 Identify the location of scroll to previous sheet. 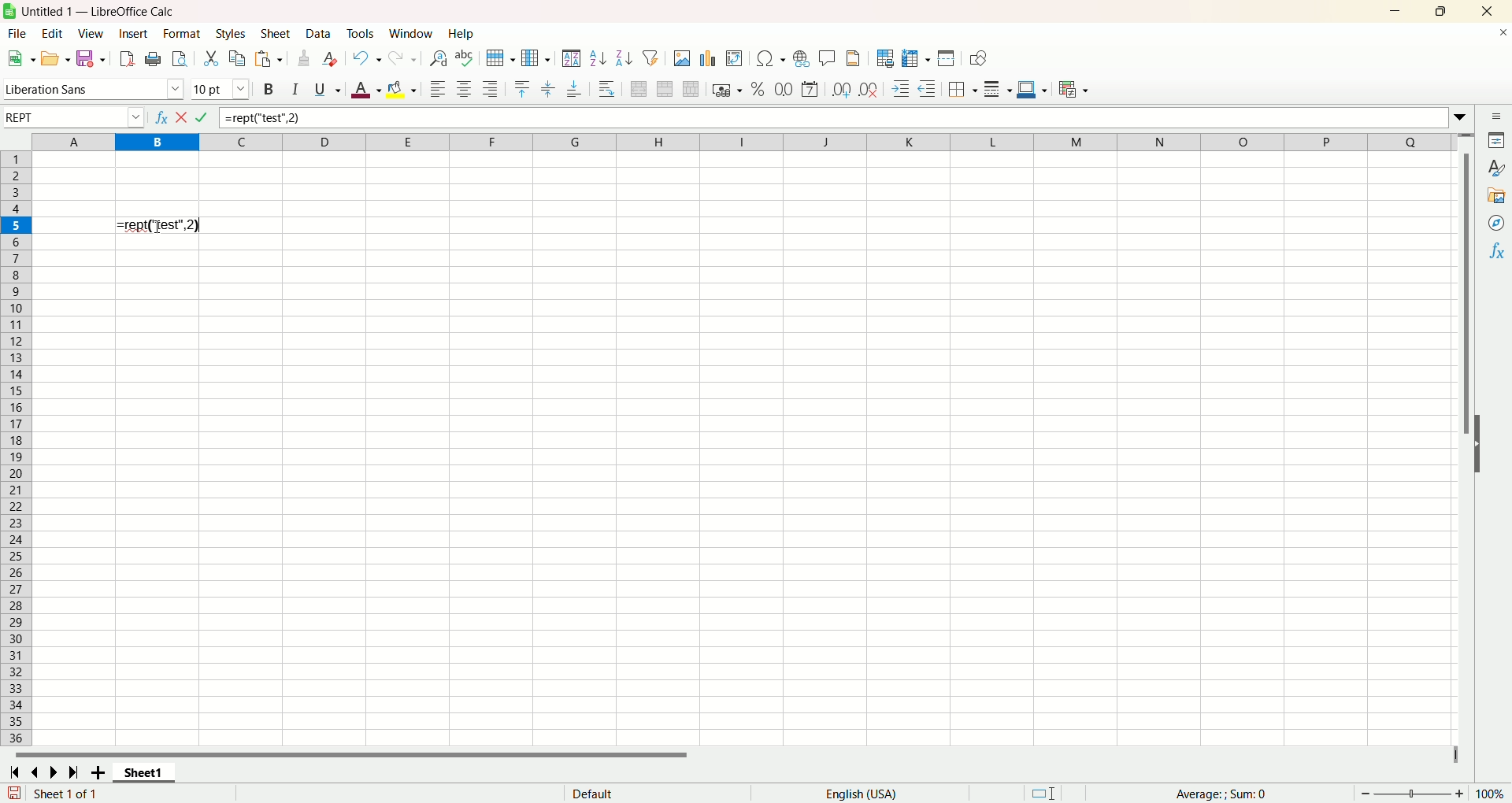
(39, 772).